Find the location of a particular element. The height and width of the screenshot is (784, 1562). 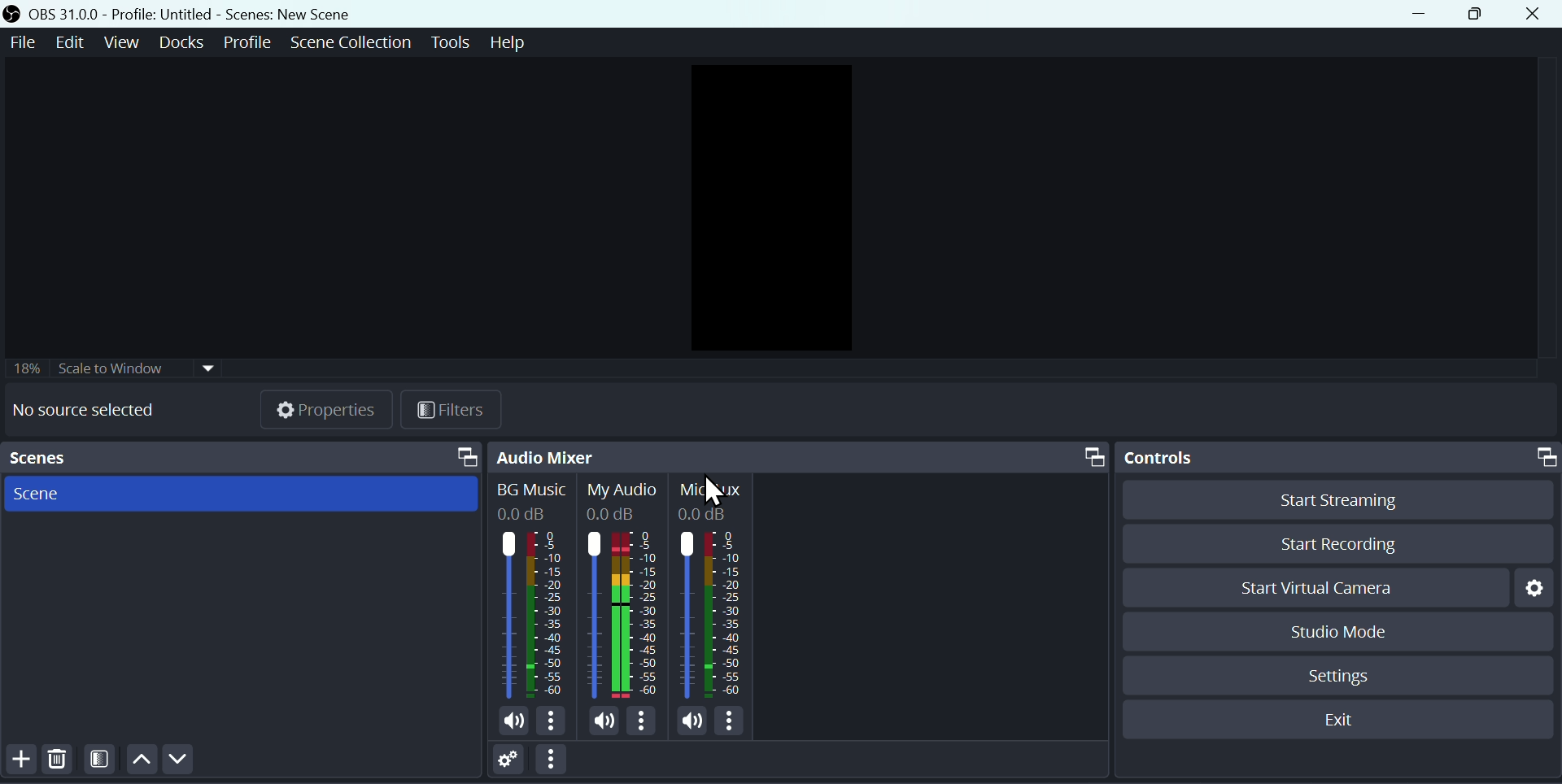

cursor is located at coordinates (718, 493).